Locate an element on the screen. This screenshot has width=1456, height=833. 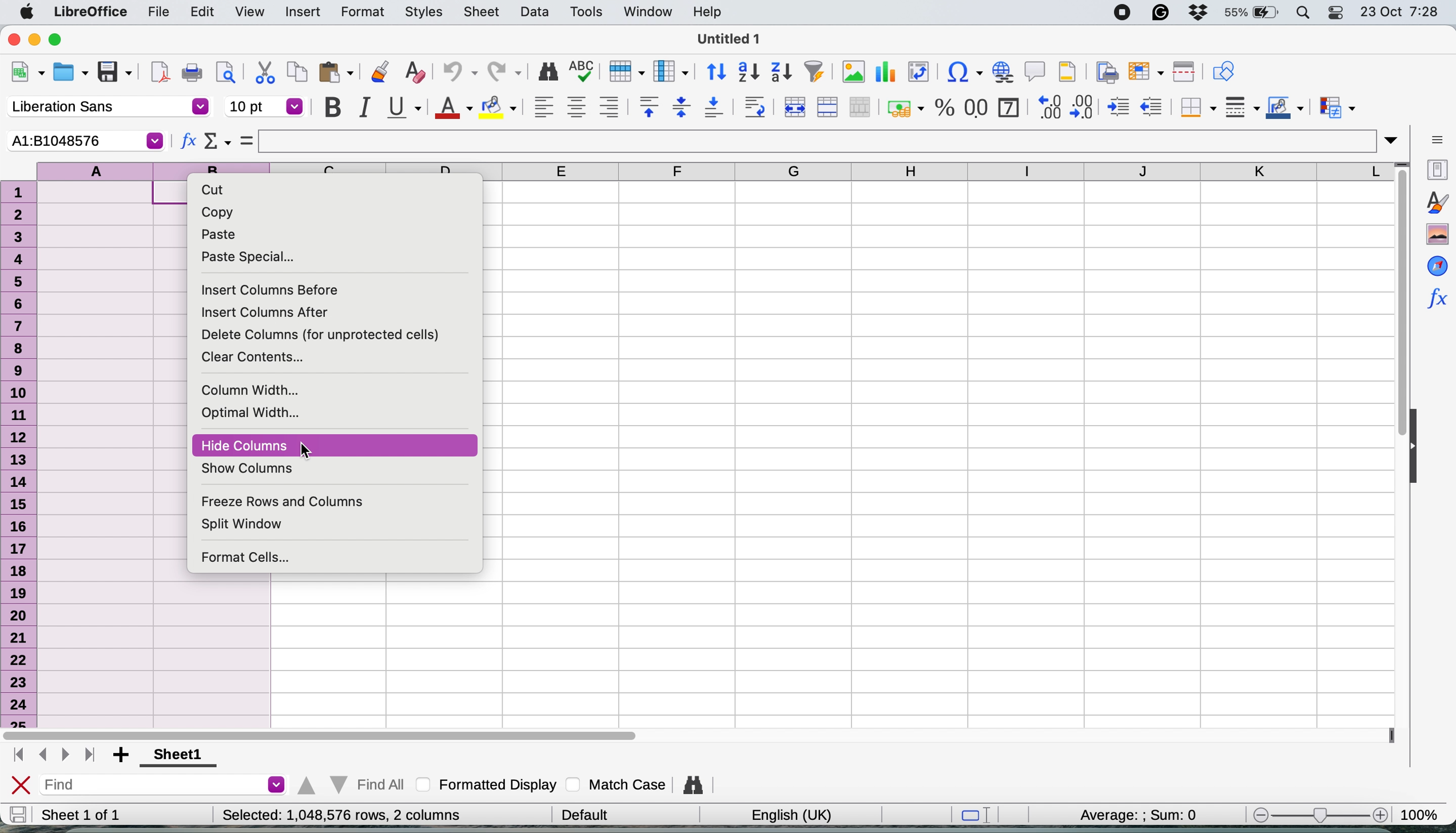
delete columns is located at coordinates (325, 336).